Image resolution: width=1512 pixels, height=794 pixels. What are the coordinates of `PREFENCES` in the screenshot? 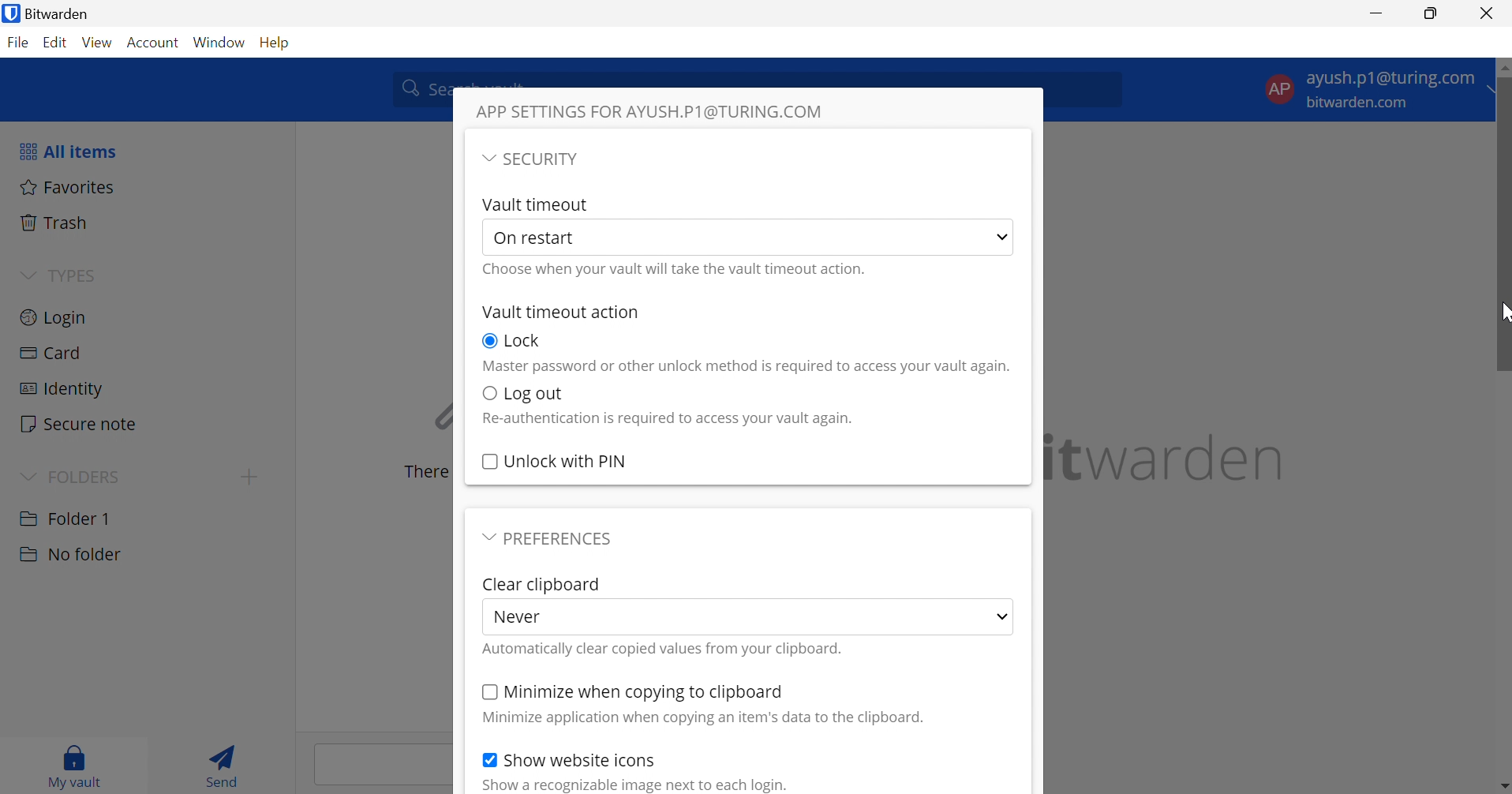 It's located at (563, 537).